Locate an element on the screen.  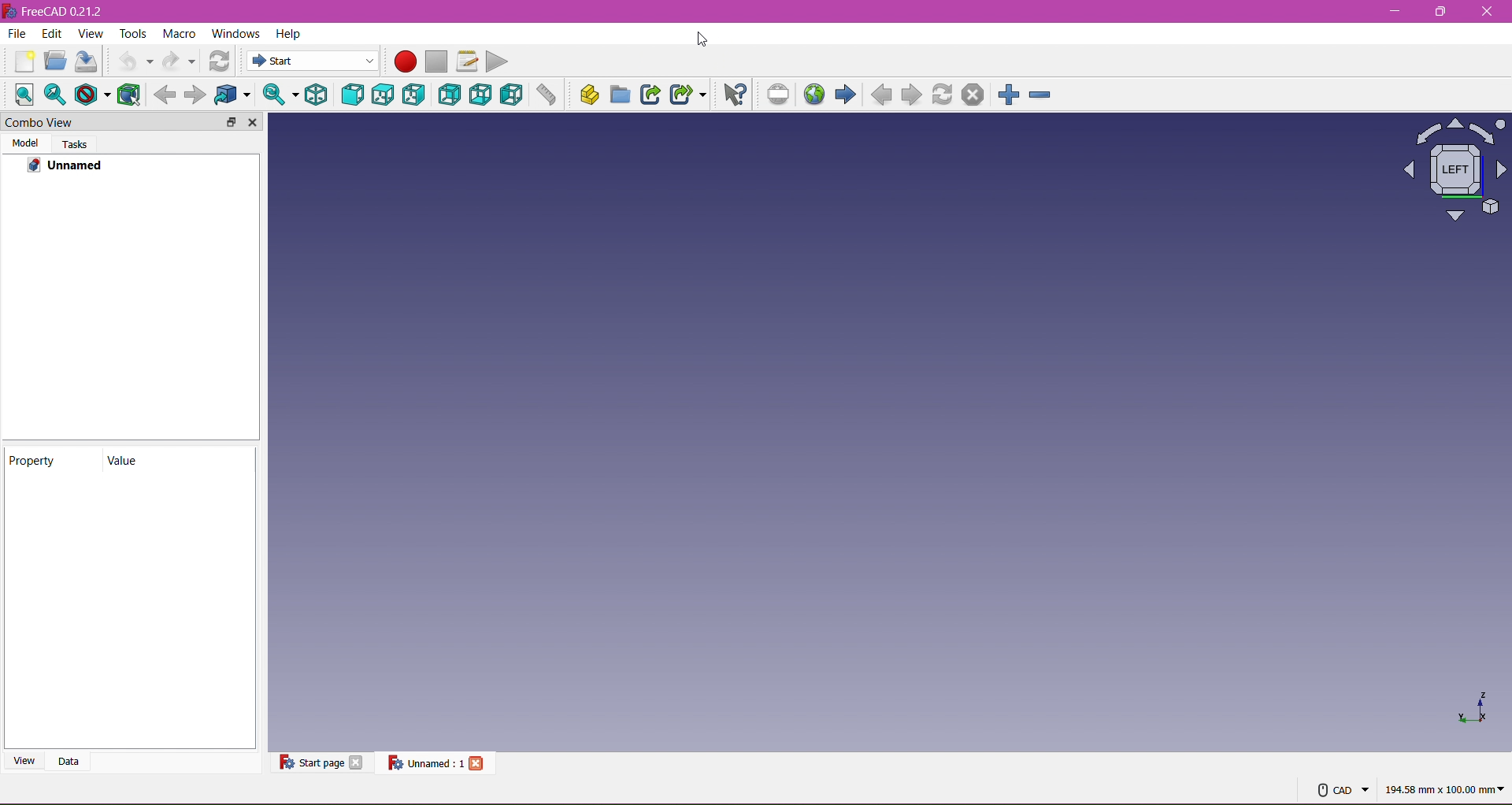
Maximize is located at coordinates (1442, 10).